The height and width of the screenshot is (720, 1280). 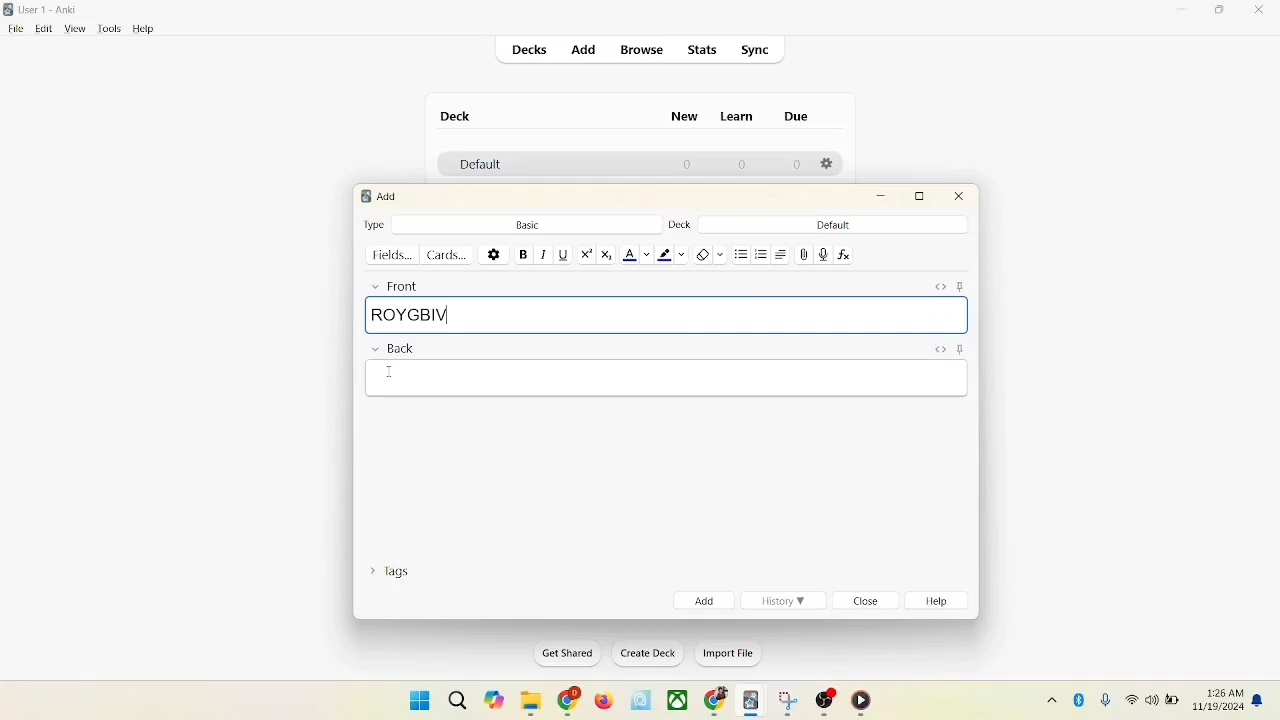 What do you see at coordinates (1151, 699) in the screenshot?
I see `speaker` at bounding box center [1151, 699].